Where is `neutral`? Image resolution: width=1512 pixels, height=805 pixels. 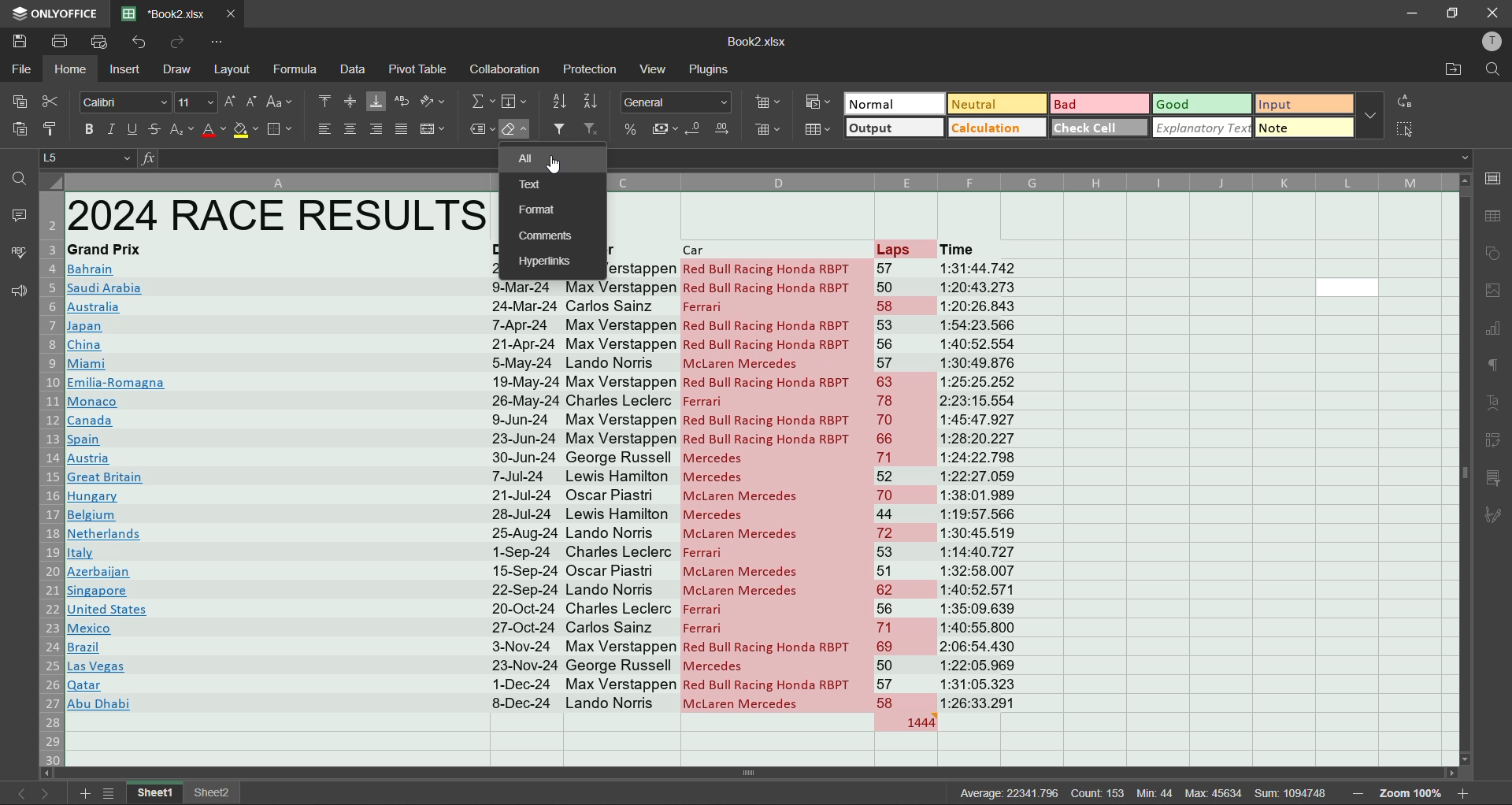
neutral is located at coordinates (999, 105).